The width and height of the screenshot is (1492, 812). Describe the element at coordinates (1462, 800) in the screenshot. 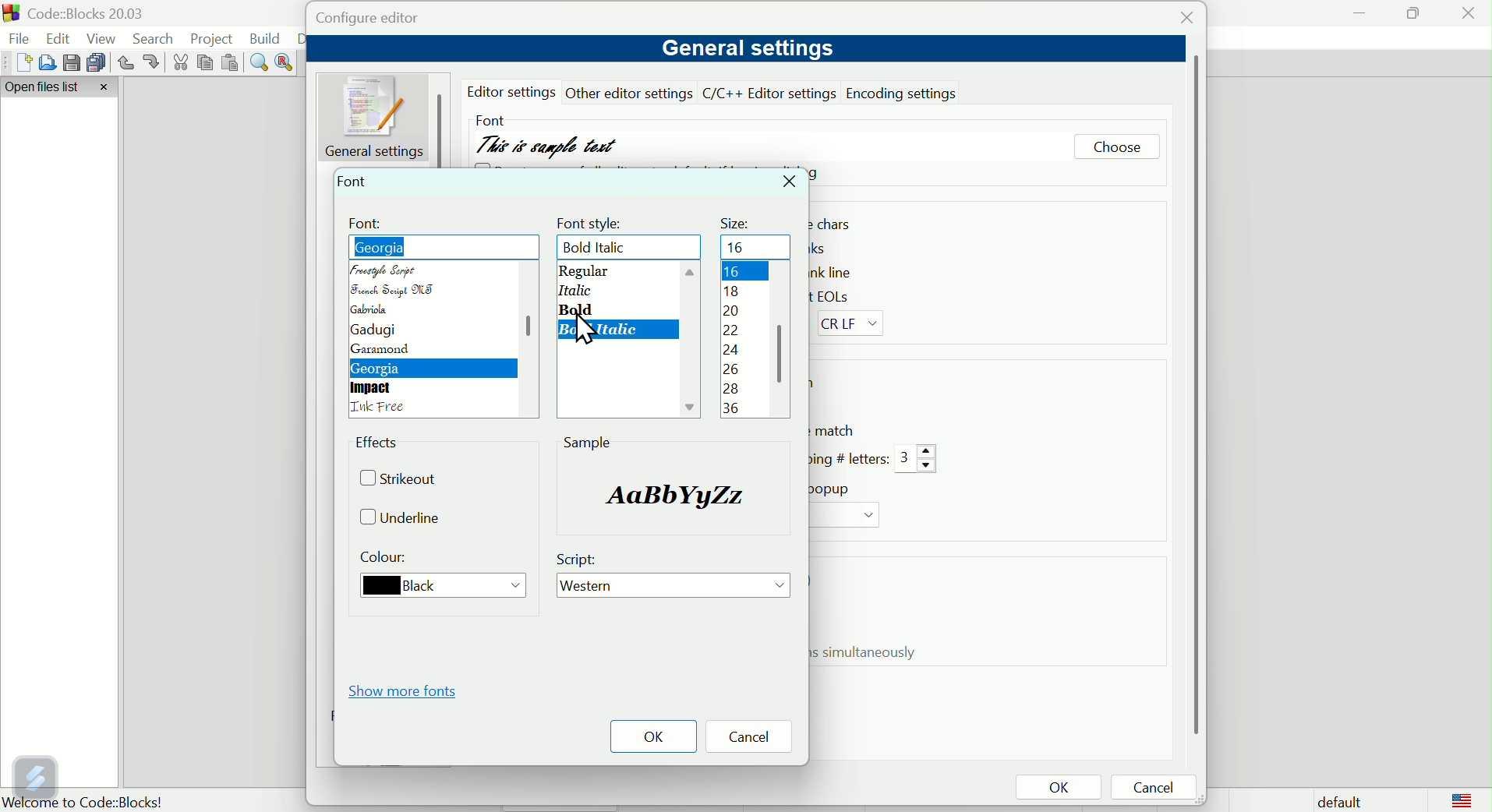

I see `logo` at that location.